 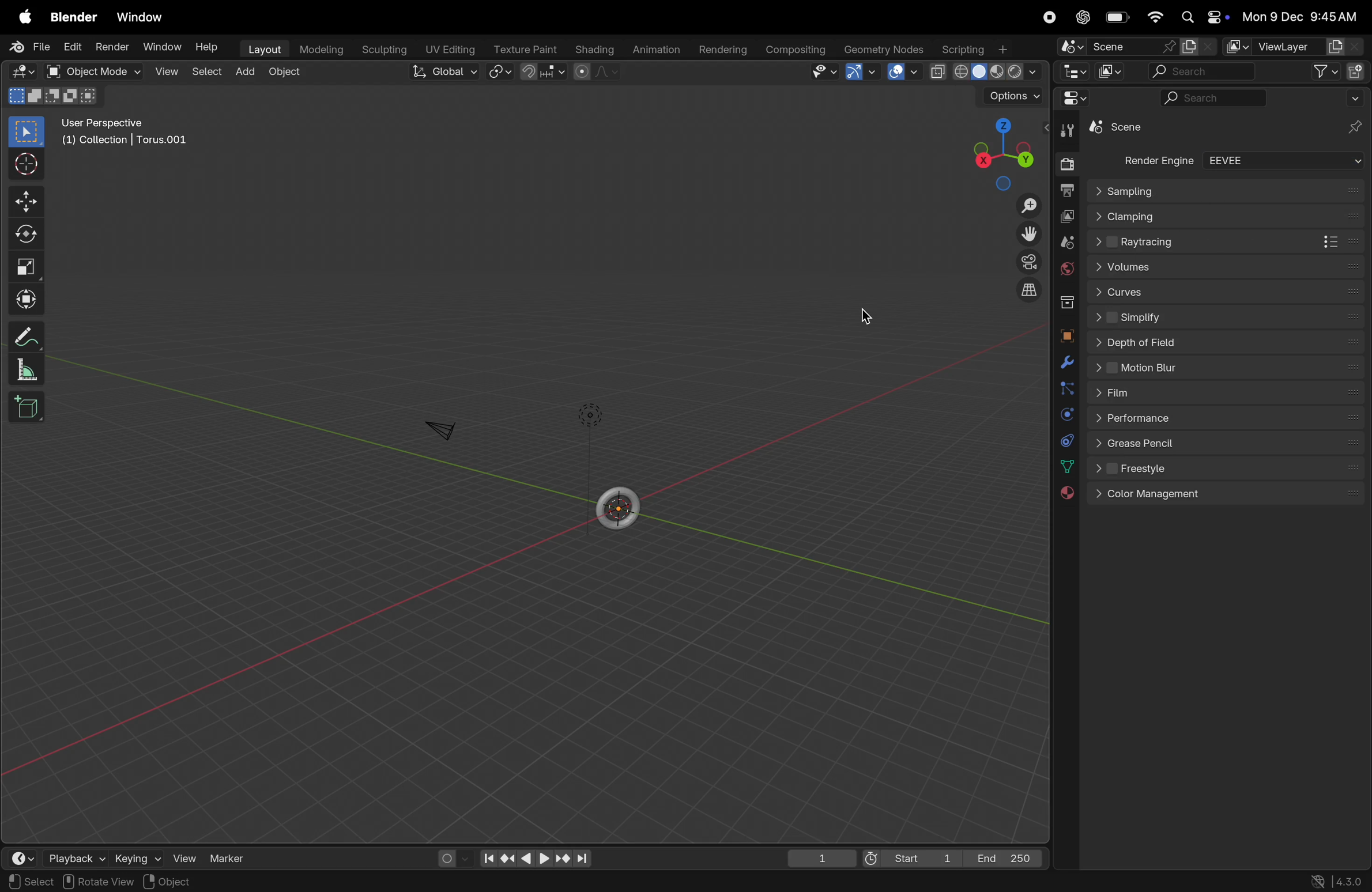 I want to click on apple widgets, so click(x=1204, y=16).